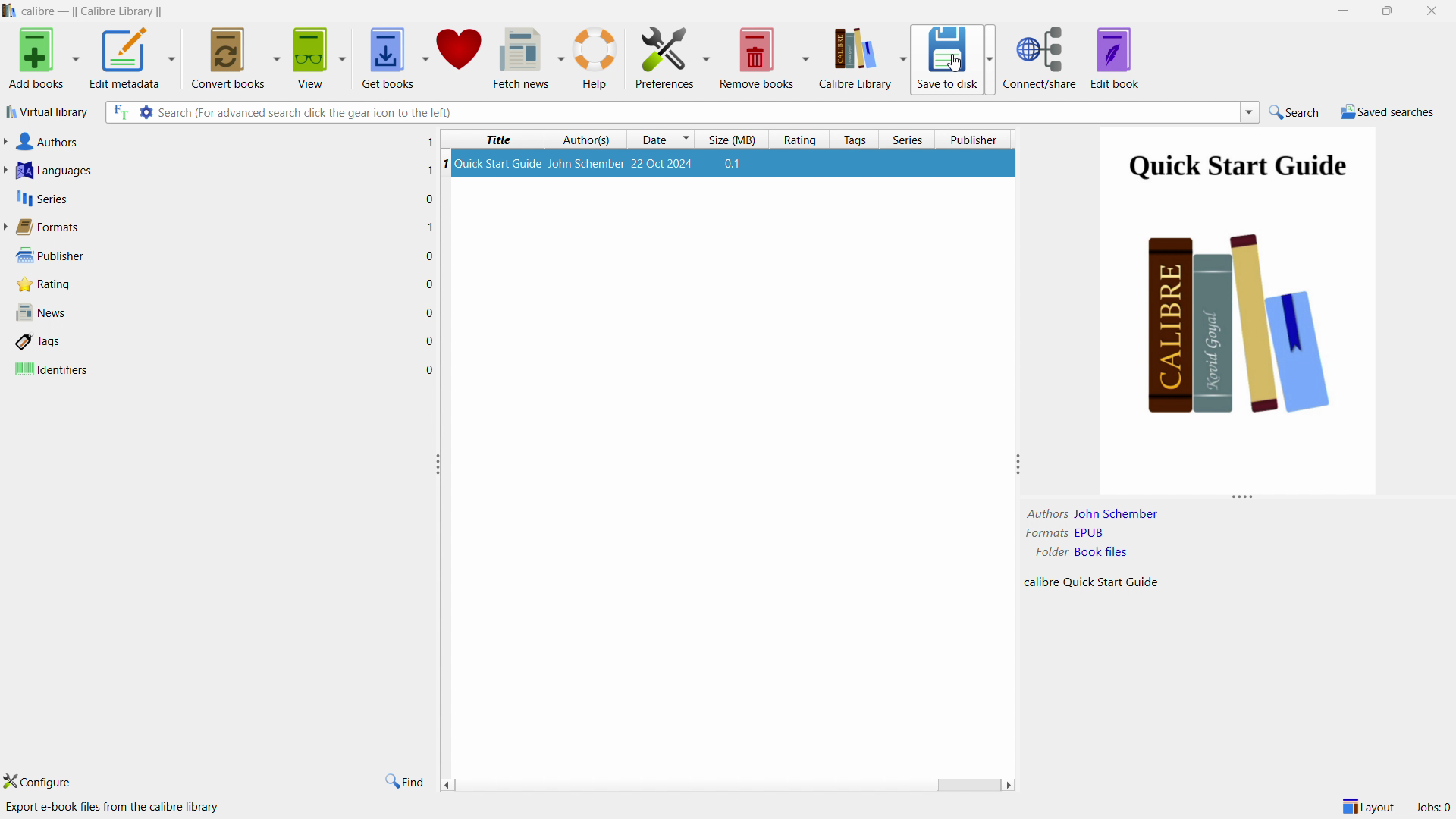 The height and width of the screenshot is (819, 1456). I want to click on maximize, so click(1385, 11).